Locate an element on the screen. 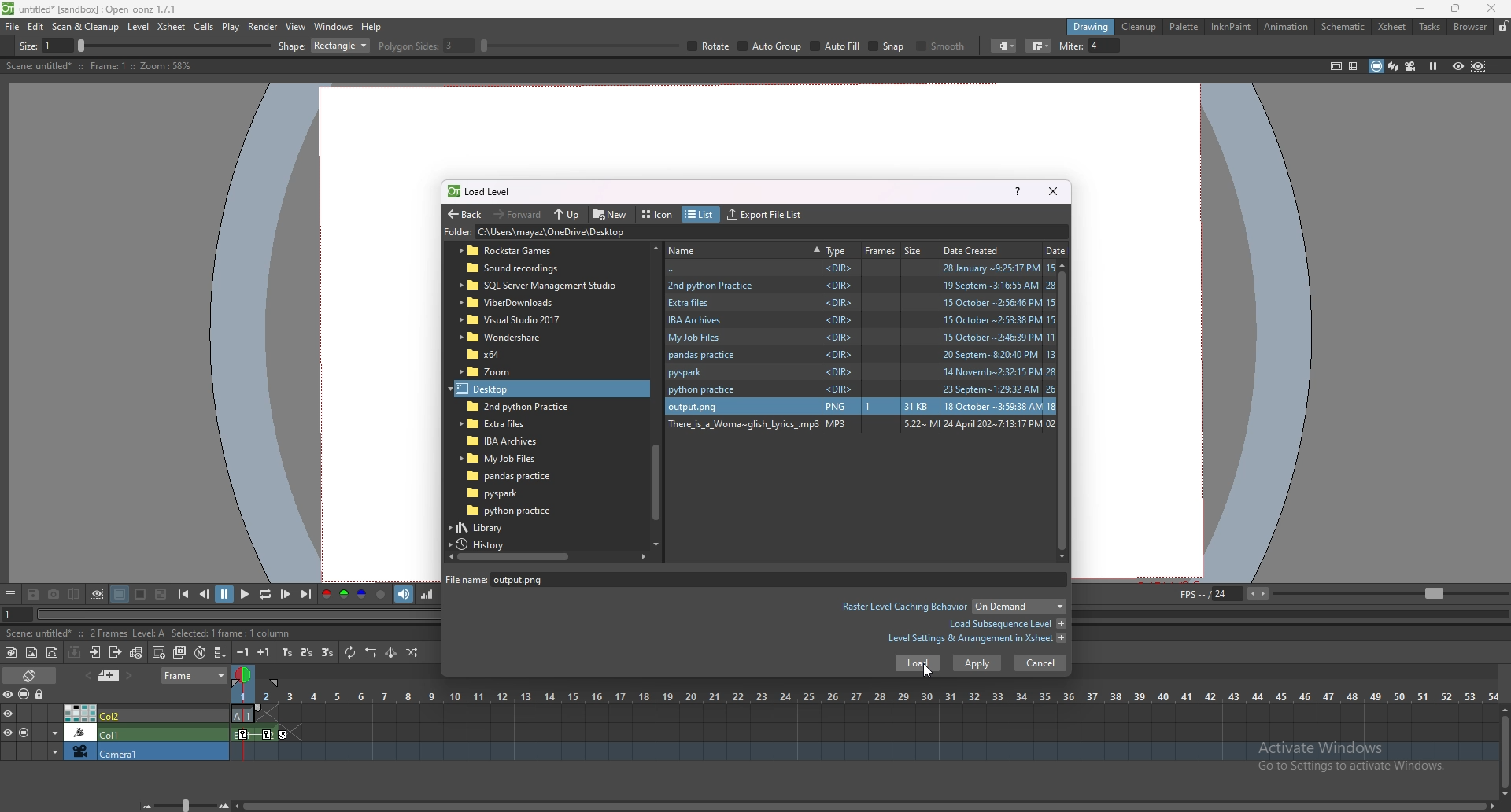 The width and height of the screenshot is (1511, 812). level is located at coordinates (140, 27).